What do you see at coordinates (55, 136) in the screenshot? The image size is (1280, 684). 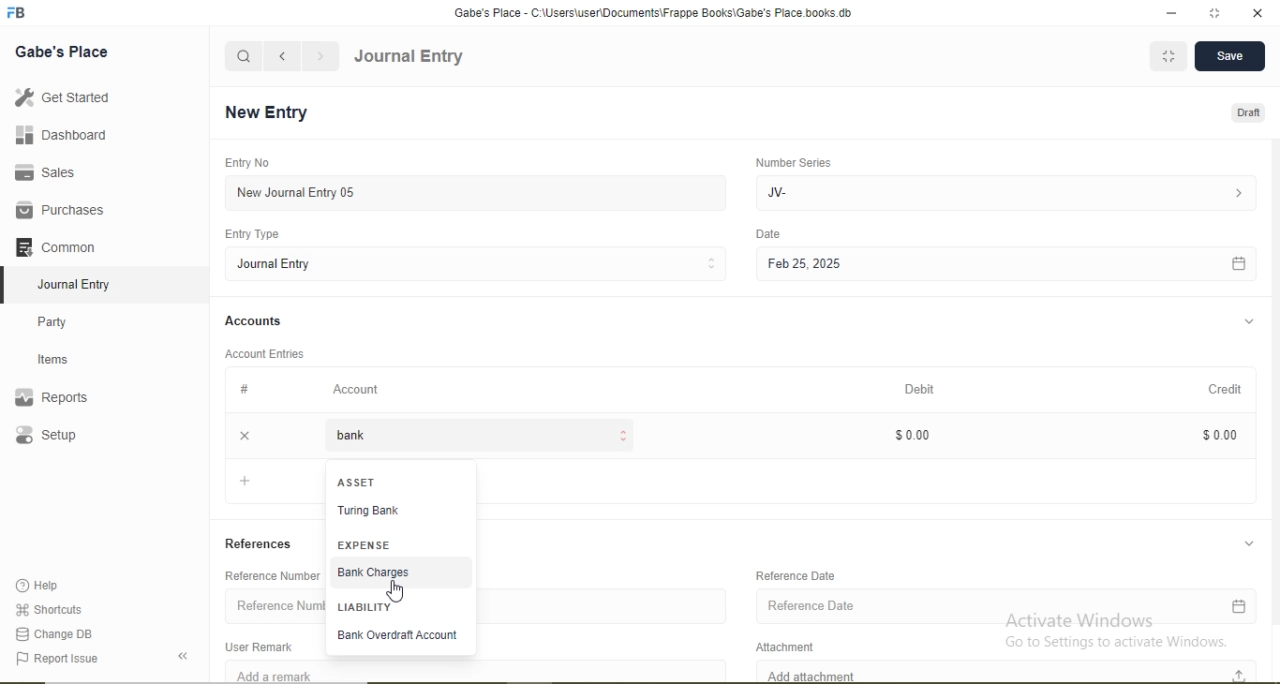 I see `Dashboard` at bounding box center [55, 136].